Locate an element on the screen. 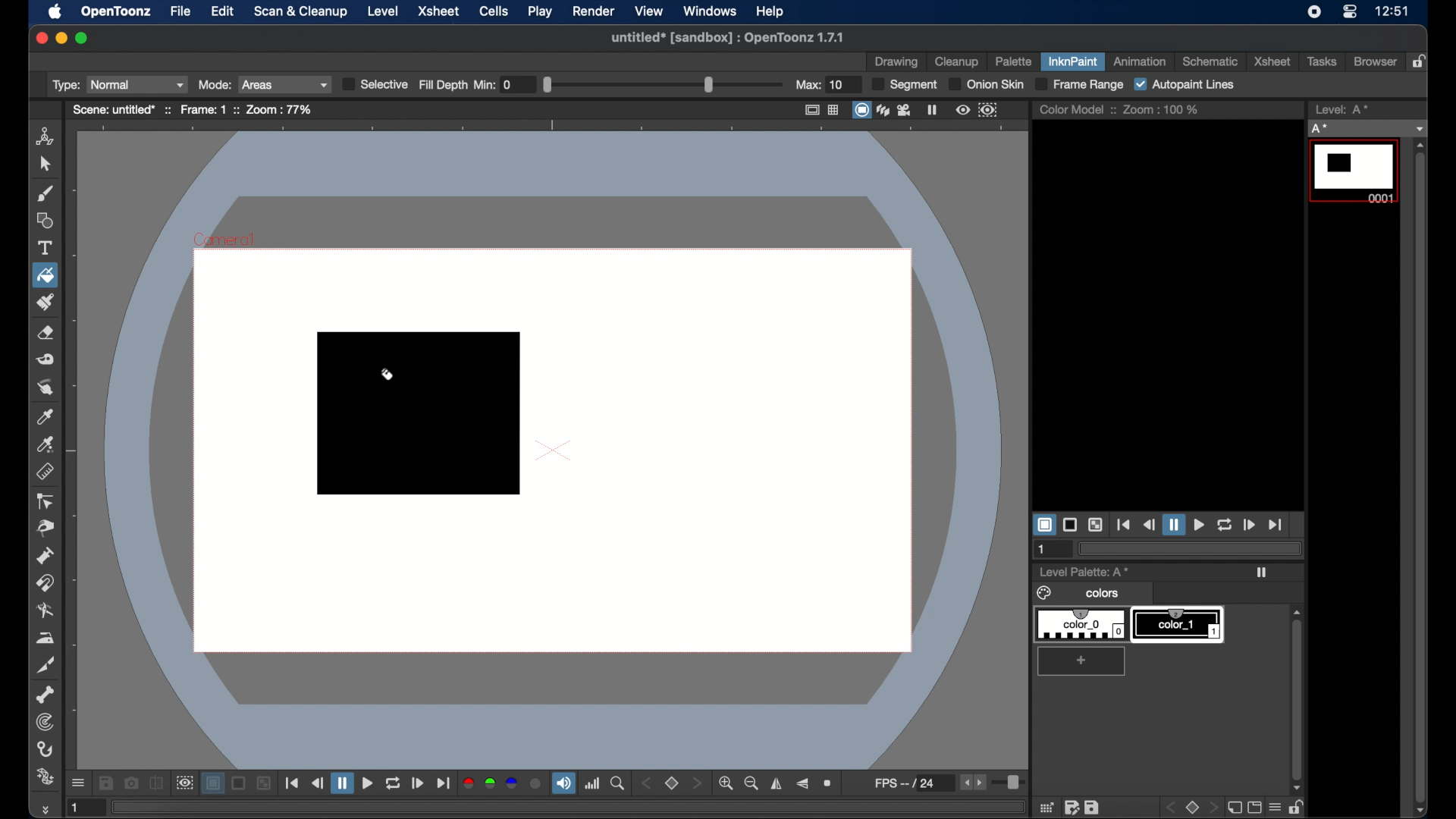 The height and width of the screenshot is (819, 1456). paint brush tool is located at coordinates (46, 302).